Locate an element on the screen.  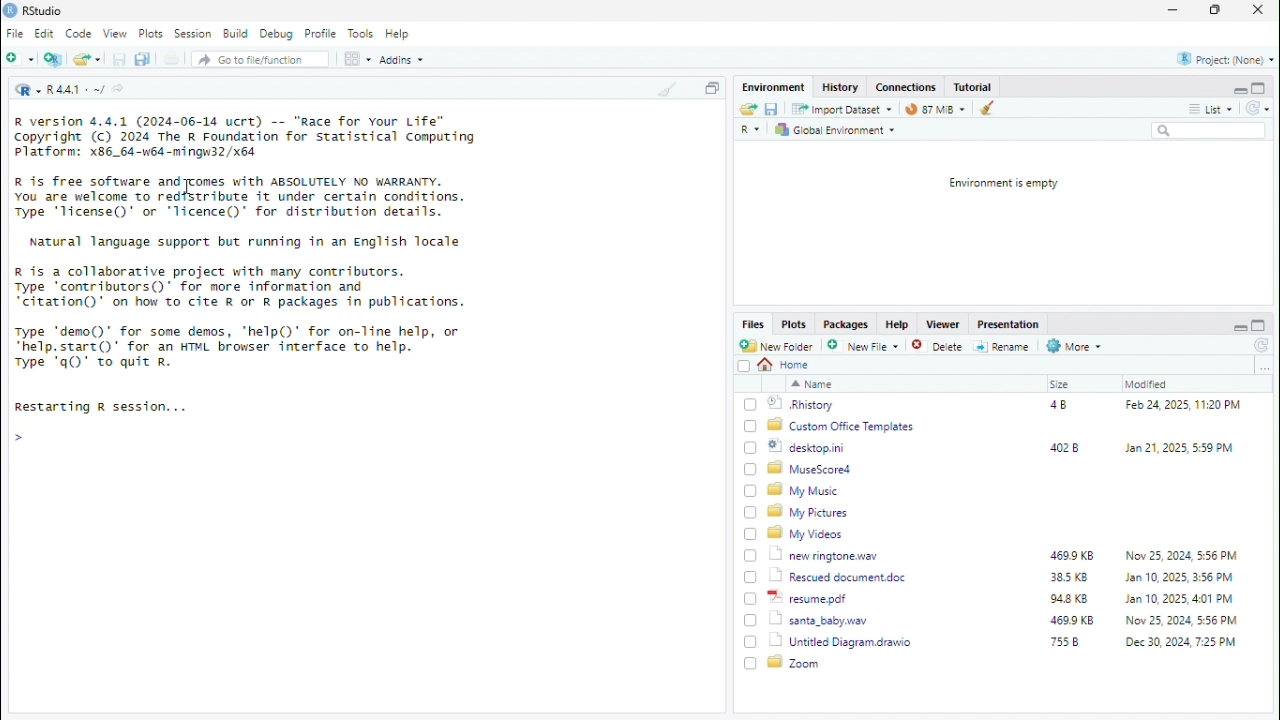
maximise is located at coordinates (1259, 326).